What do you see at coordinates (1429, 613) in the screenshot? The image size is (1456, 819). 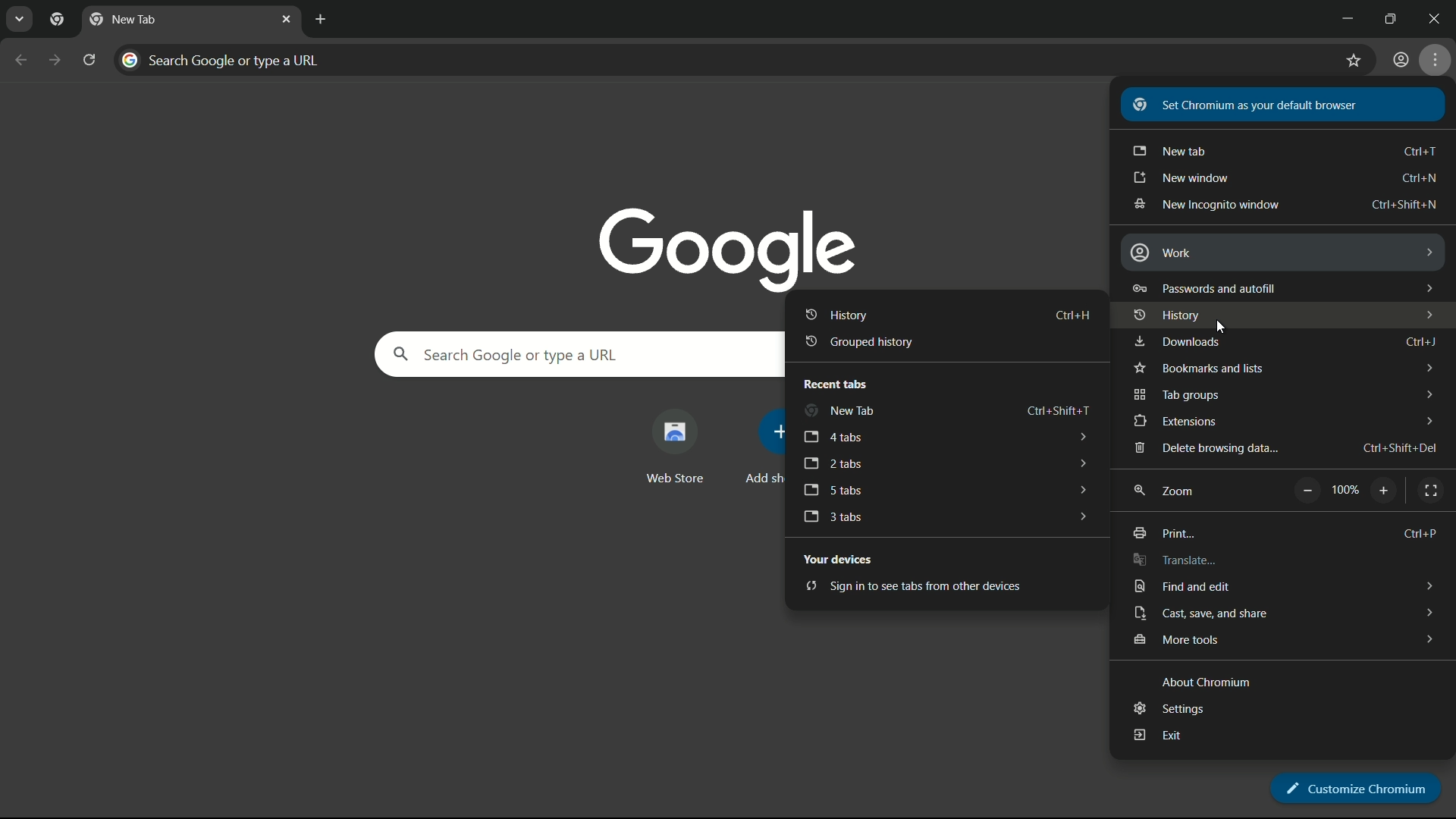 I see `dropdown arrows` at bounding box center [1429, 613].